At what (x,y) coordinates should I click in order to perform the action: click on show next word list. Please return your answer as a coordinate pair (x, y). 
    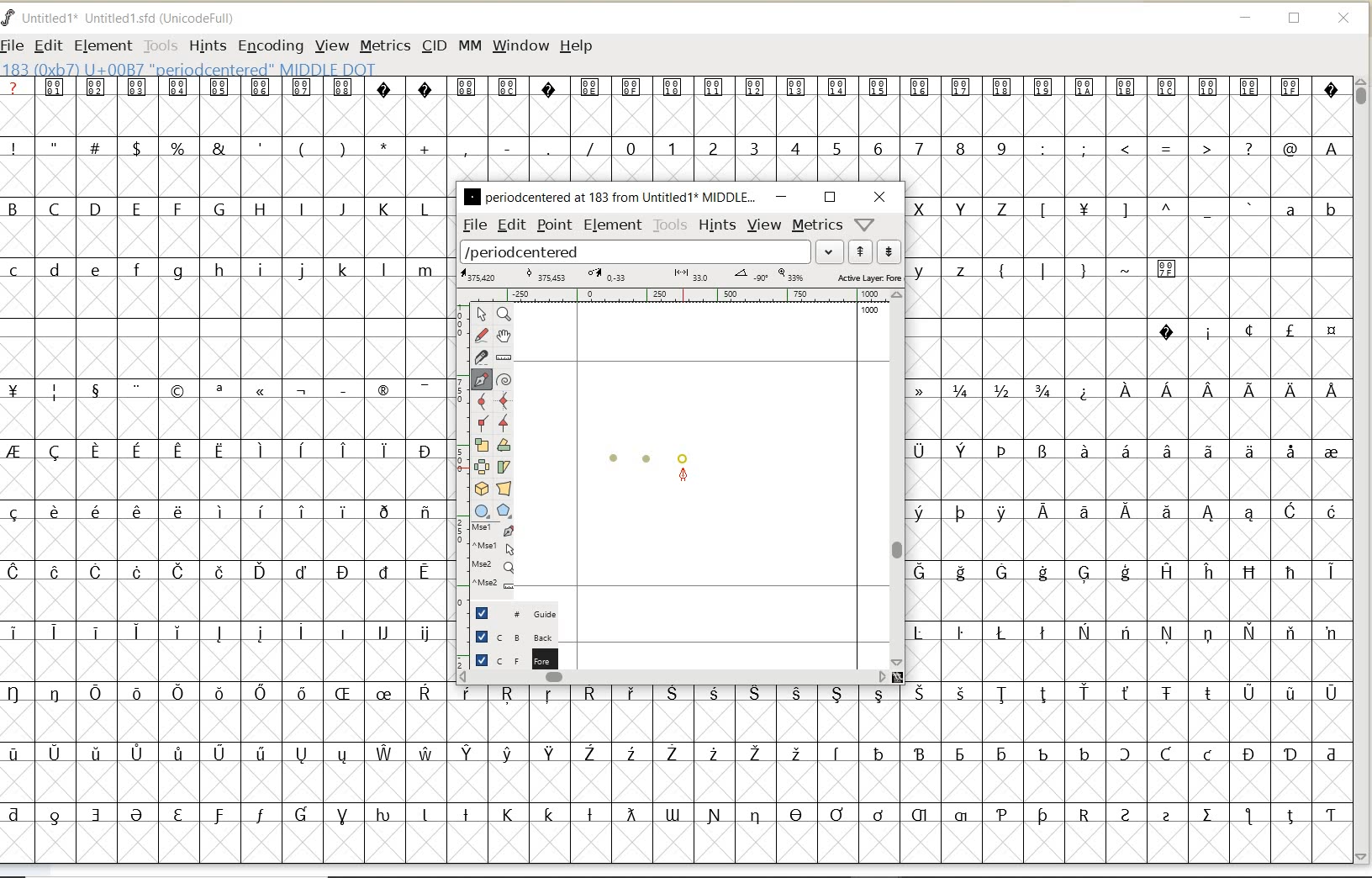
    Looking at the image, I should click on (891, 252).